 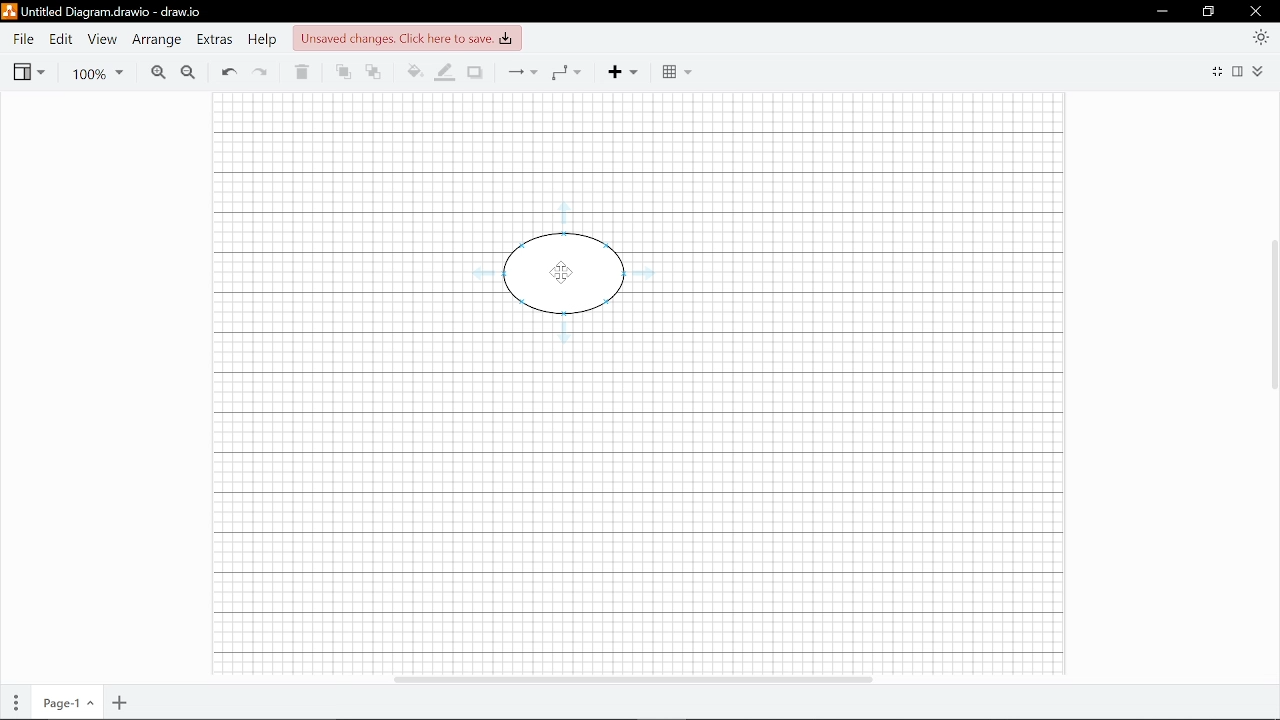 What do you see at coordinates (93, 73) in the screenshot?
I see `Zoom` at bounding box center [93, 73].